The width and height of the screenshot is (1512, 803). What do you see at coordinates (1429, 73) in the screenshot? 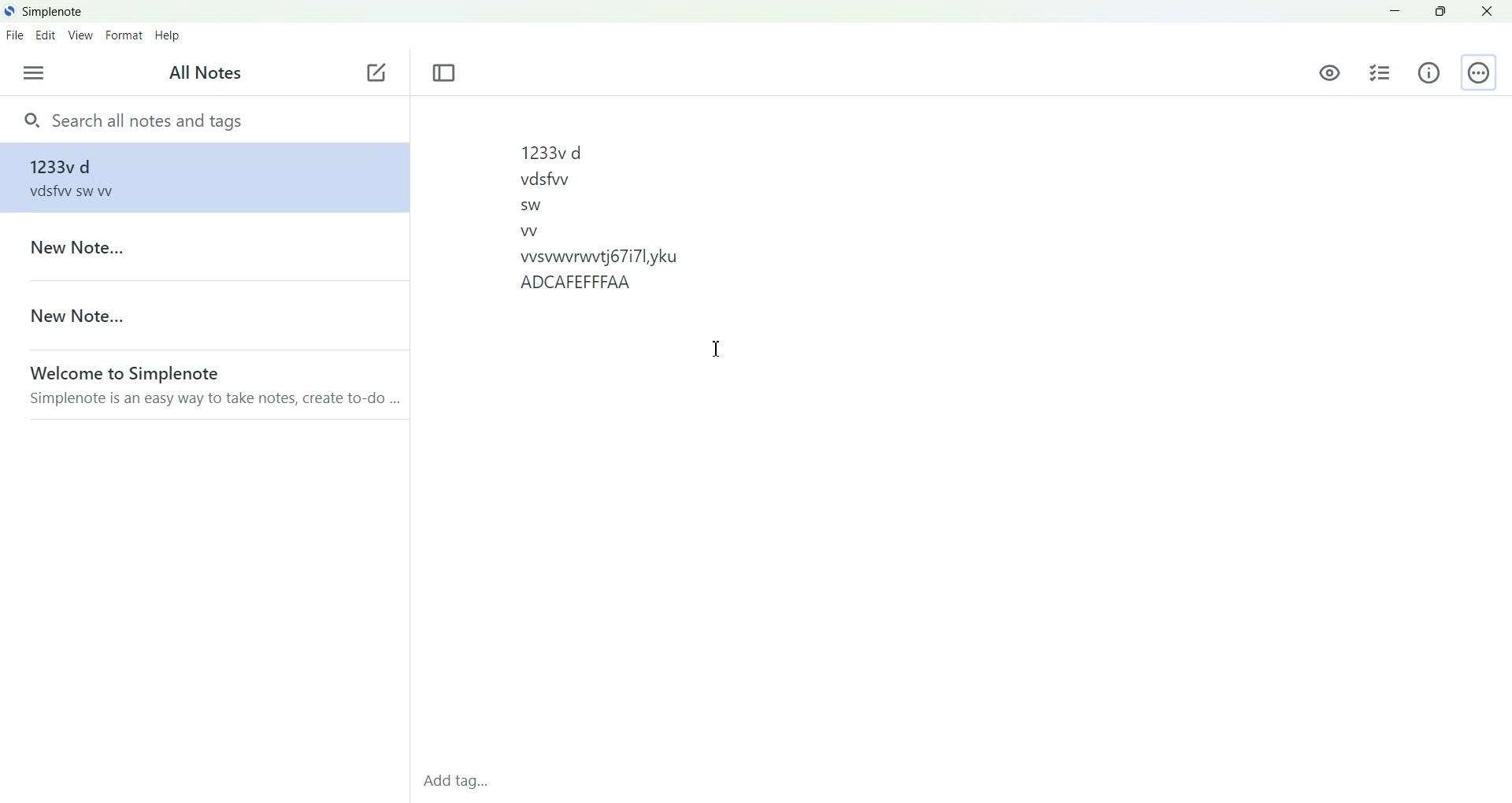
I see `Info` at bounding box center [1429, 73].